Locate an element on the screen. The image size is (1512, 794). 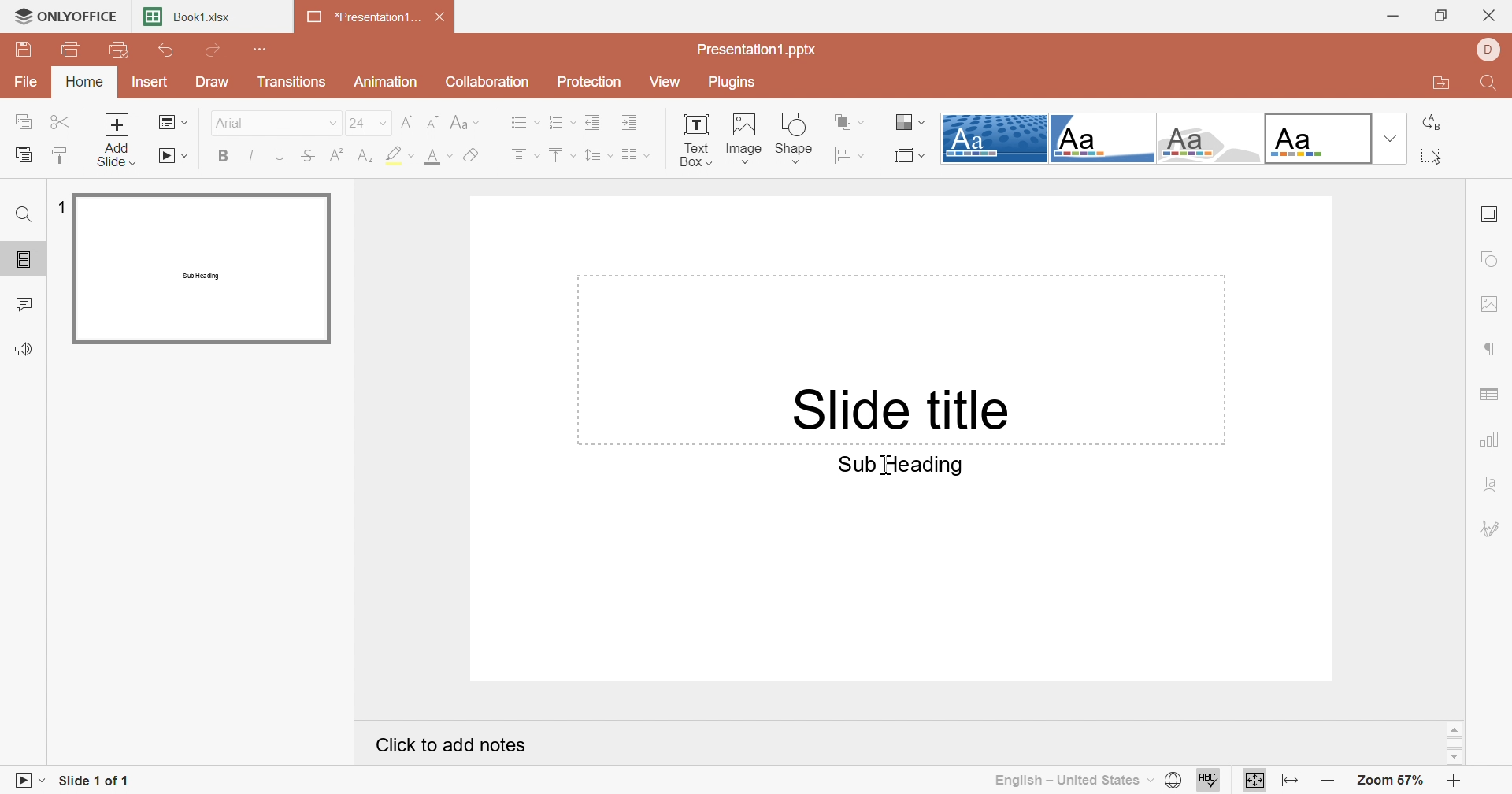
Find is located at coordinates (1495, 84).